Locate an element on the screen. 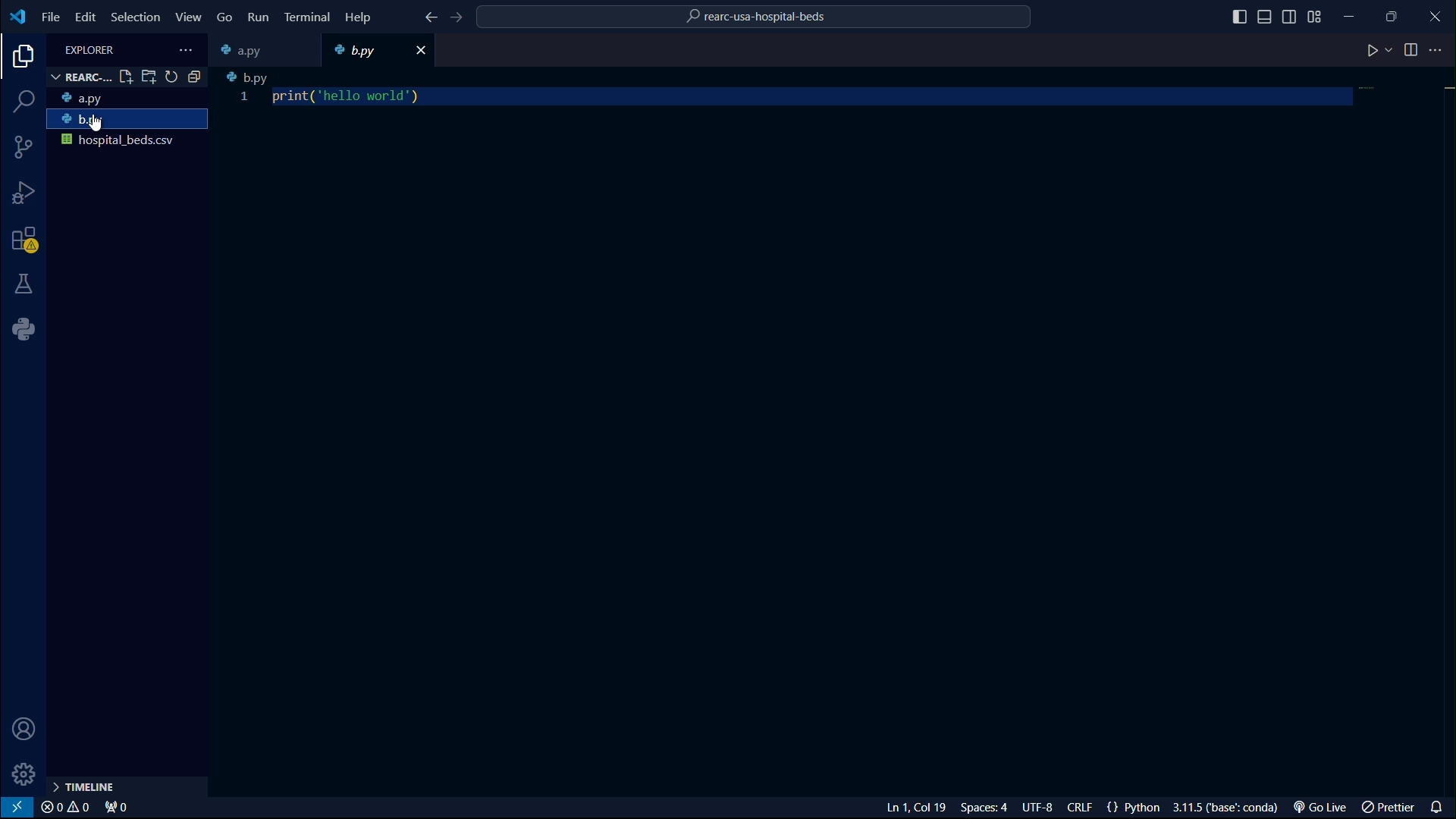 The width and height of the screenshot is (1456, 819). collapse folder in explorer is located at coordinates (195, 77).